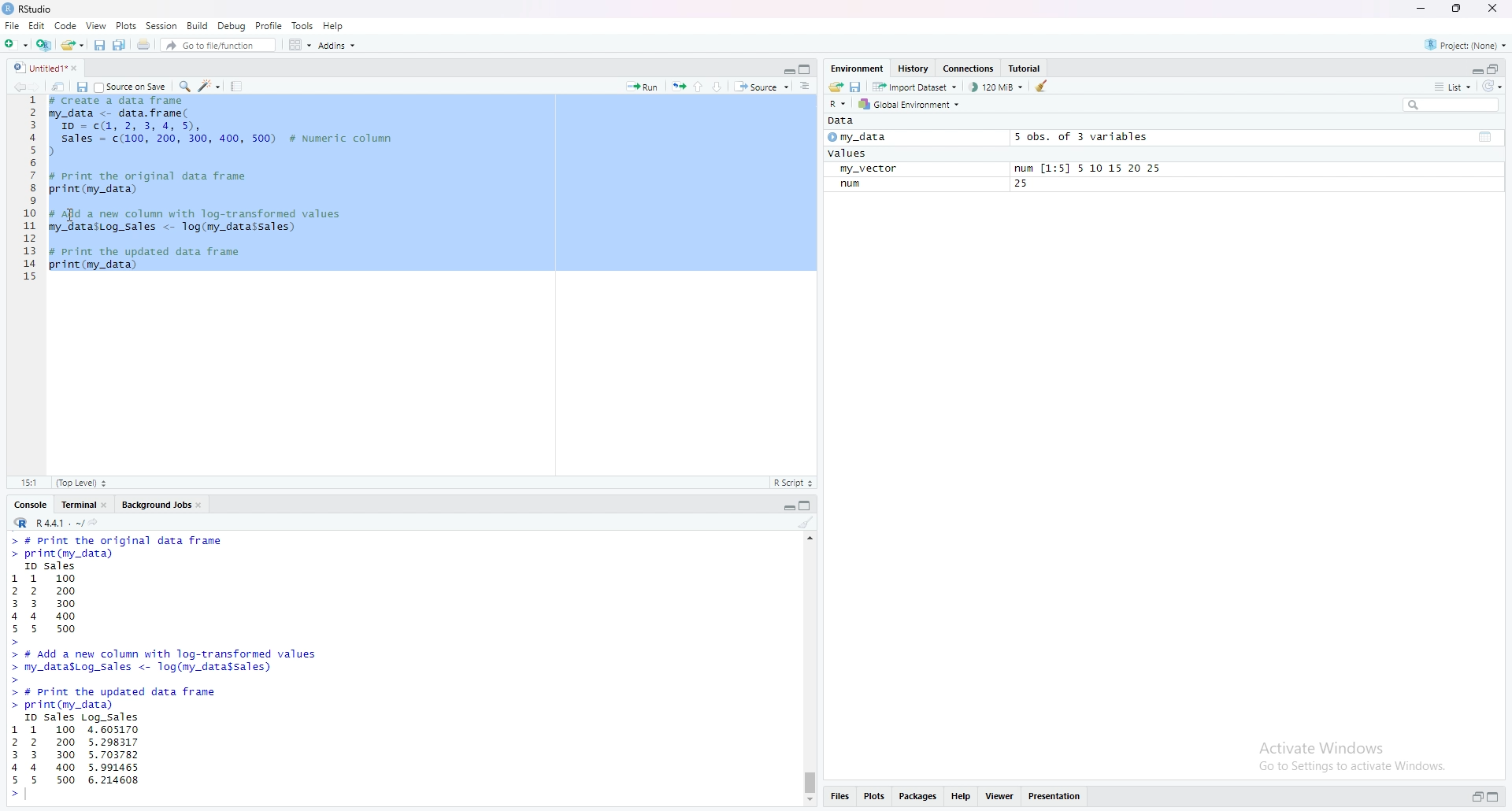  I want to click on Background jobs, so click(157, 506).